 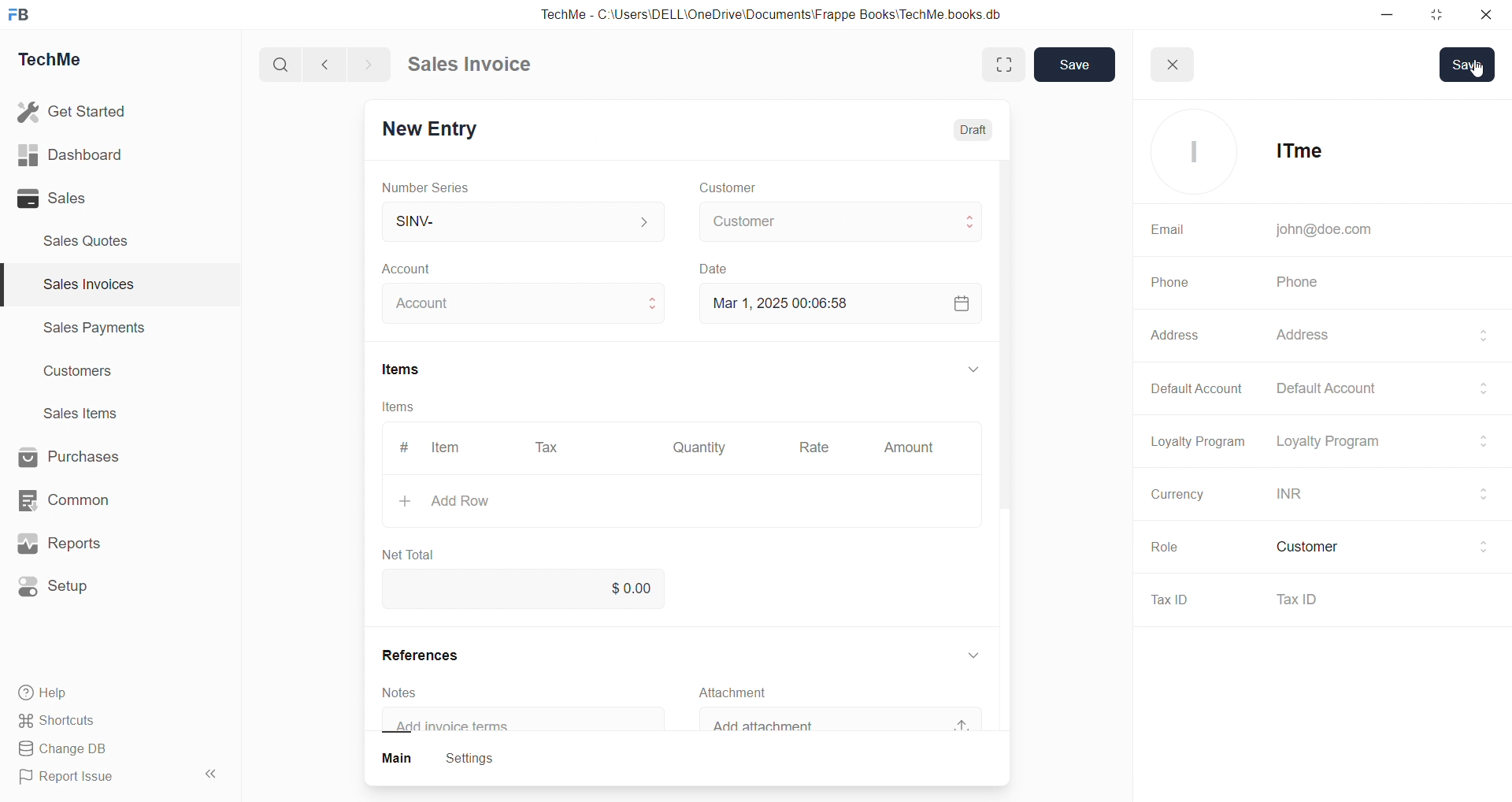 I want to click on Add attachment, so click(x=771, y=726).